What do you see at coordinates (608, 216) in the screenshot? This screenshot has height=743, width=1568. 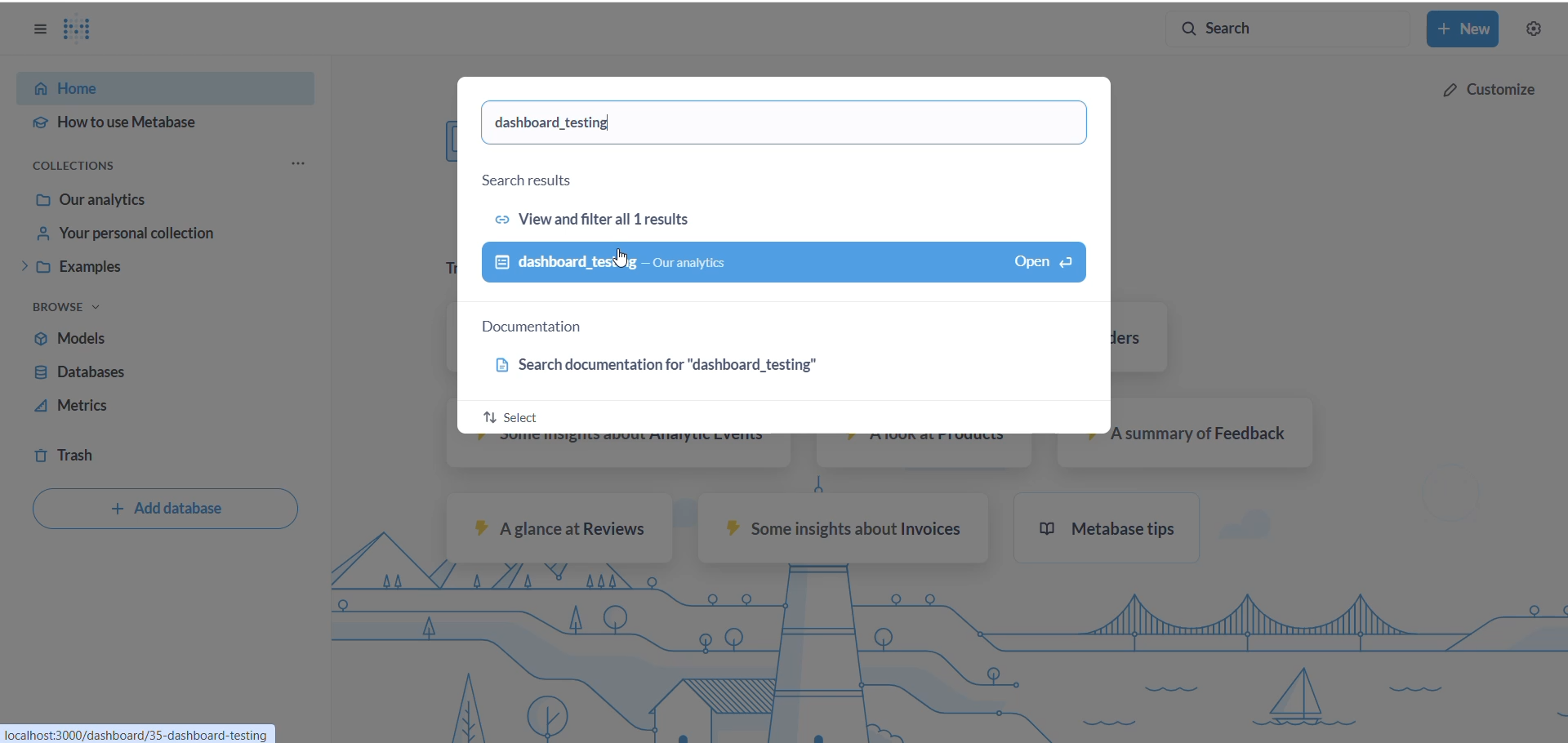 I see `view and filter 1 results` at bounding box center [608, 216].